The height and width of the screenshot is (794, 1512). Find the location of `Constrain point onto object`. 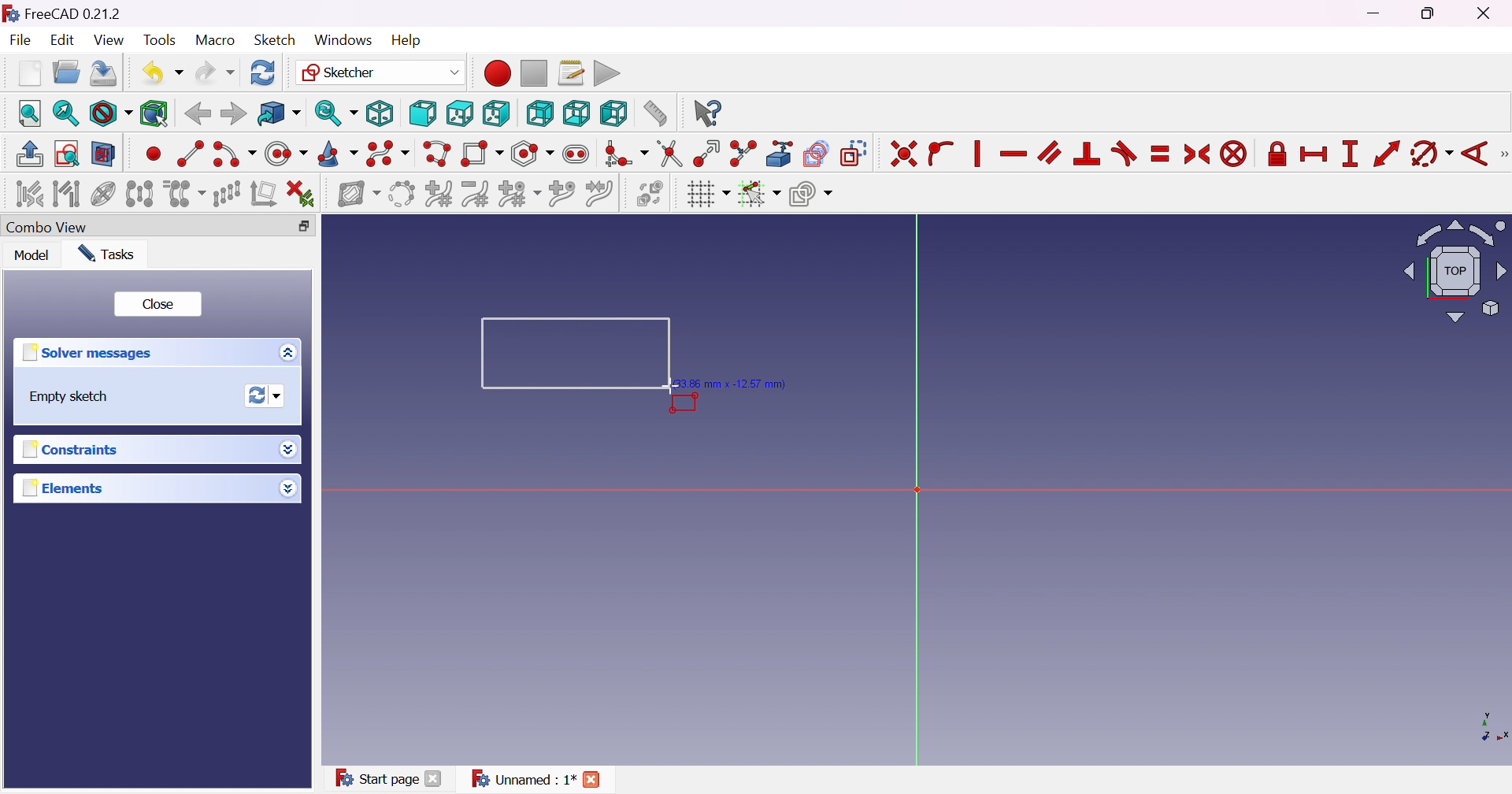

Constrain point onto object is located at coordinates (943, 155).